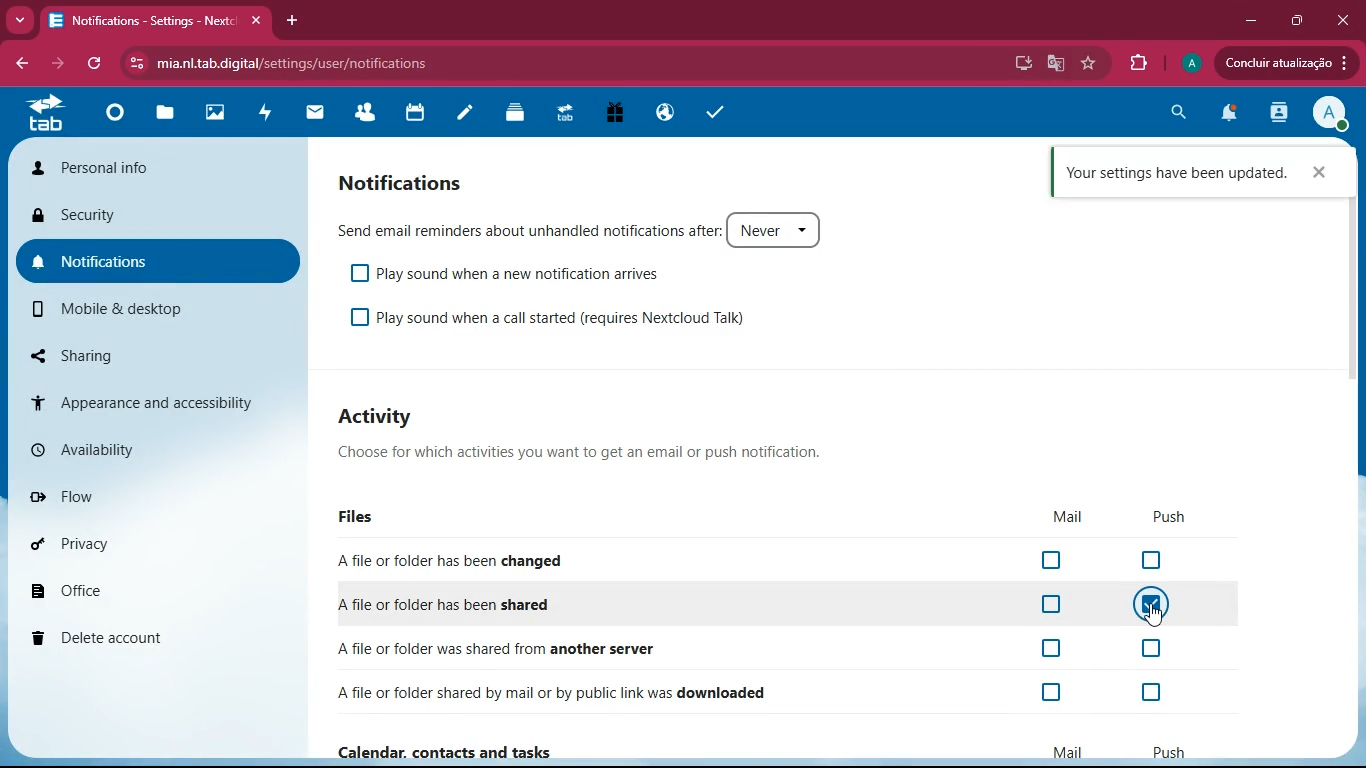  Describe the element at coordinates (287, 60) in the screenshot. I see `url` at that location.